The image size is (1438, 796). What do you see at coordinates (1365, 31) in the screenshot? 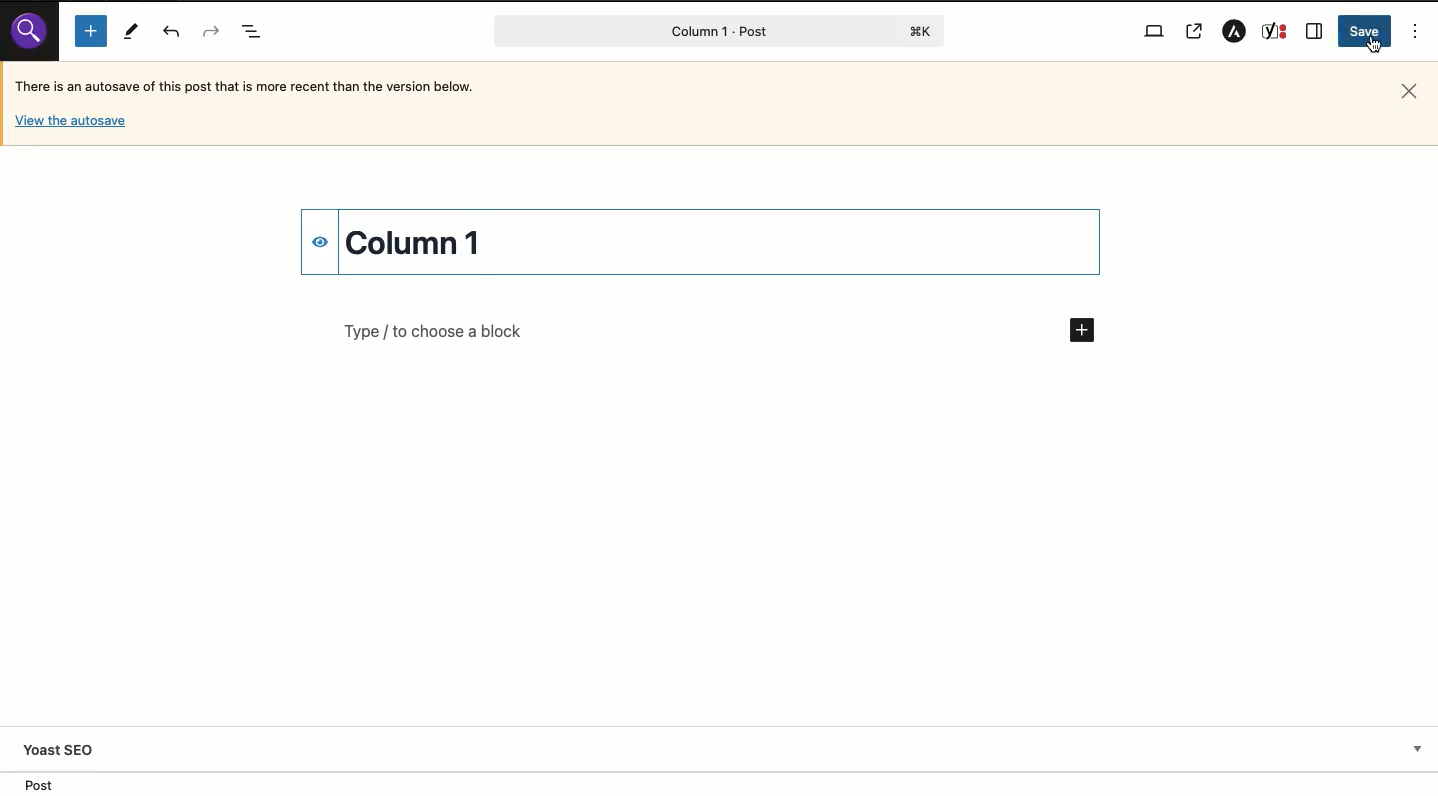
I see `Save` at bounding box center [1365, 31].